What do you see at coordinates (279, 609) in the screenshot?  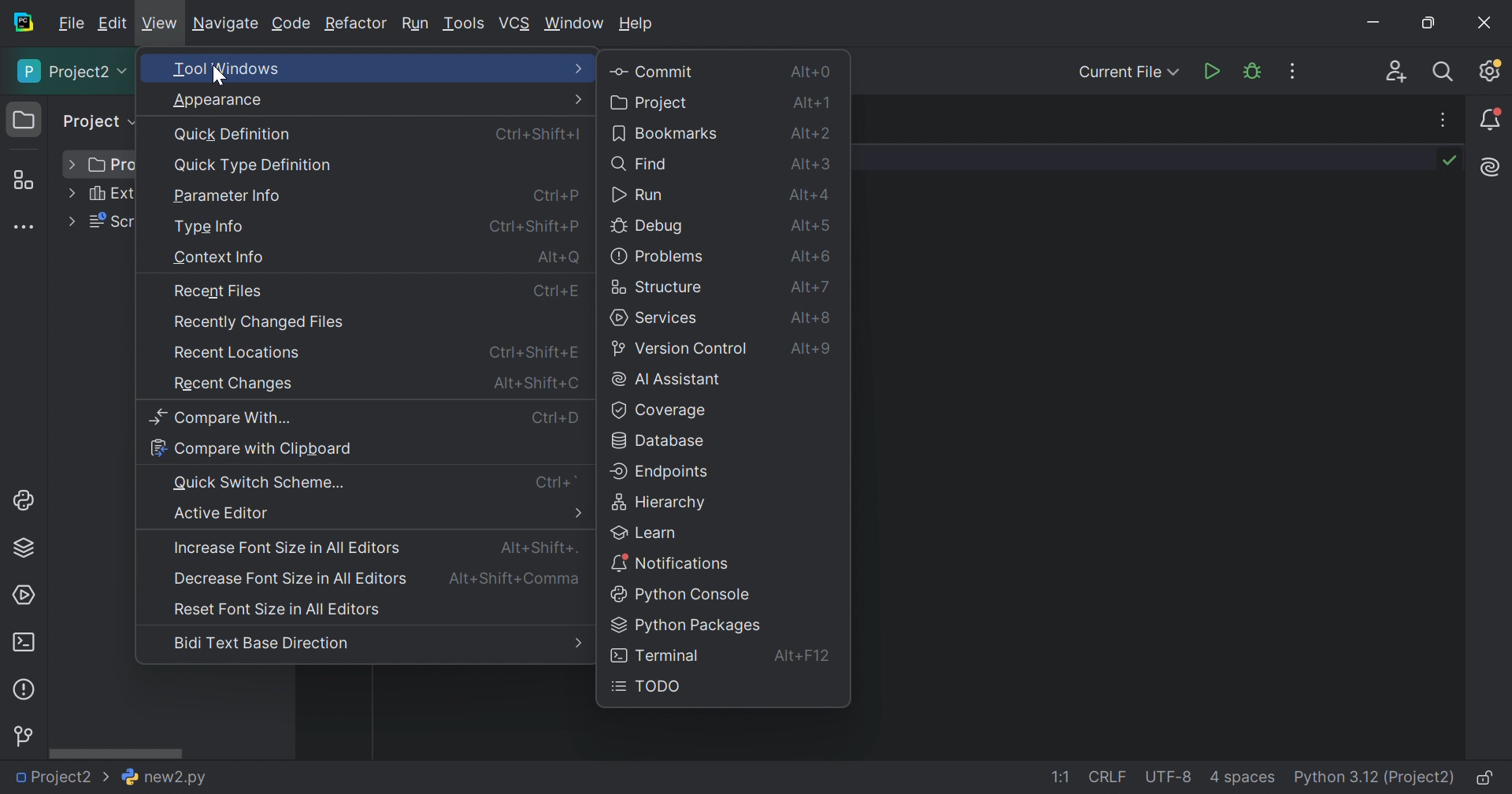 I see `Reset font base in all editors` at bounding box center [279, 609].